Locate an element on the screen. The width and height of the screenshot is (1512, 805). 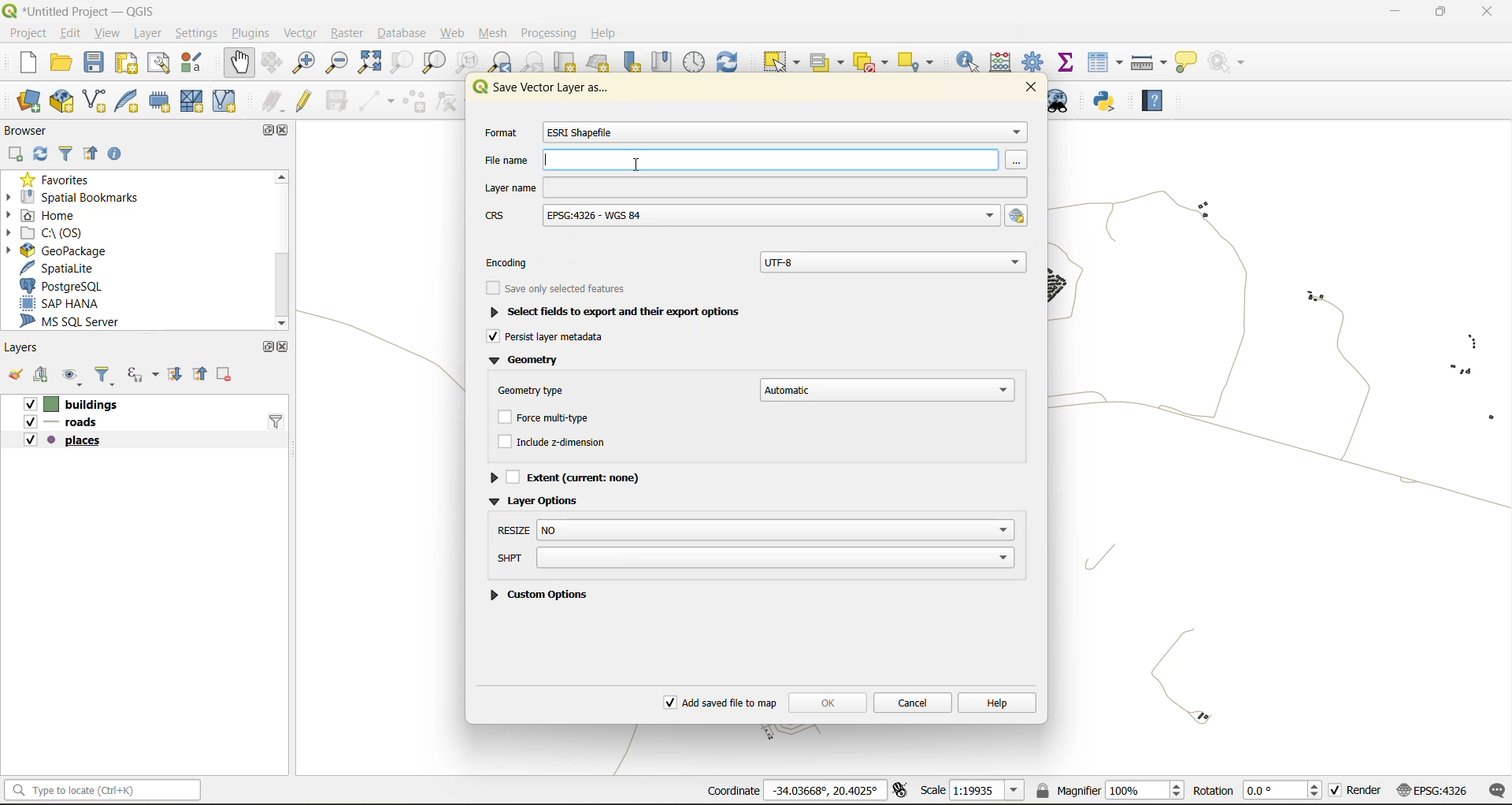
raster is located at coordinates (349, 35).